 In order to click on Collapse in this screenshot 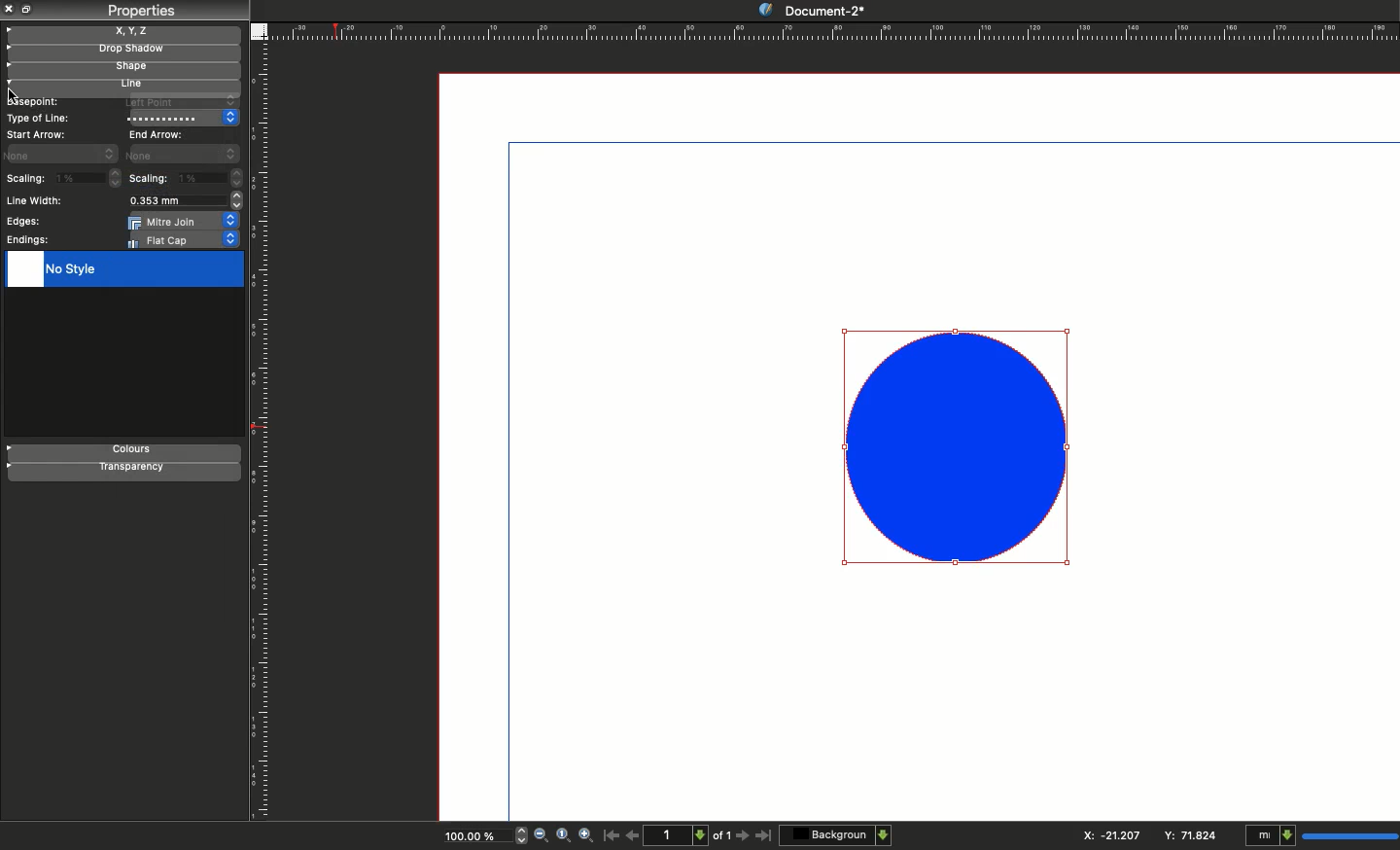, I will do `click(29, 9)`.